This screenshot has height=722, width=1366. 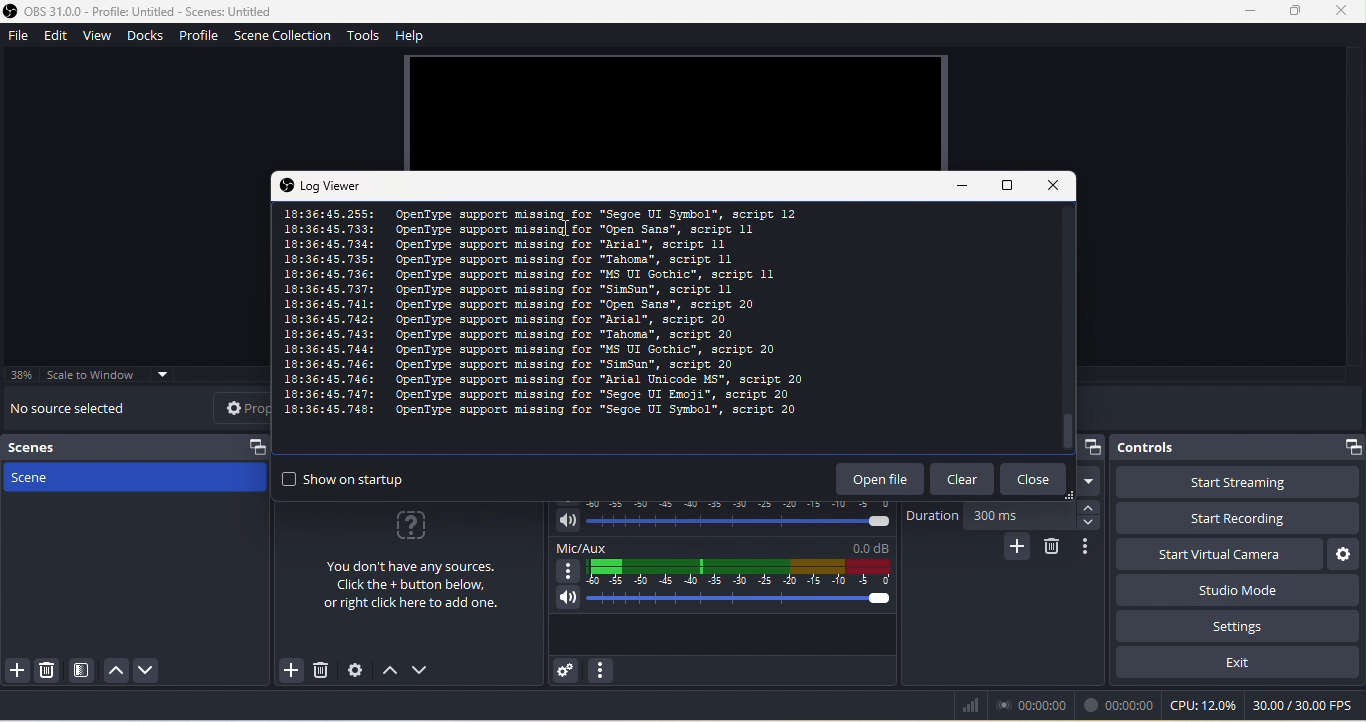 What do you see at coordinates (876, 480) in the screenshot?
I see `open file` at bounding box center [876, 480].